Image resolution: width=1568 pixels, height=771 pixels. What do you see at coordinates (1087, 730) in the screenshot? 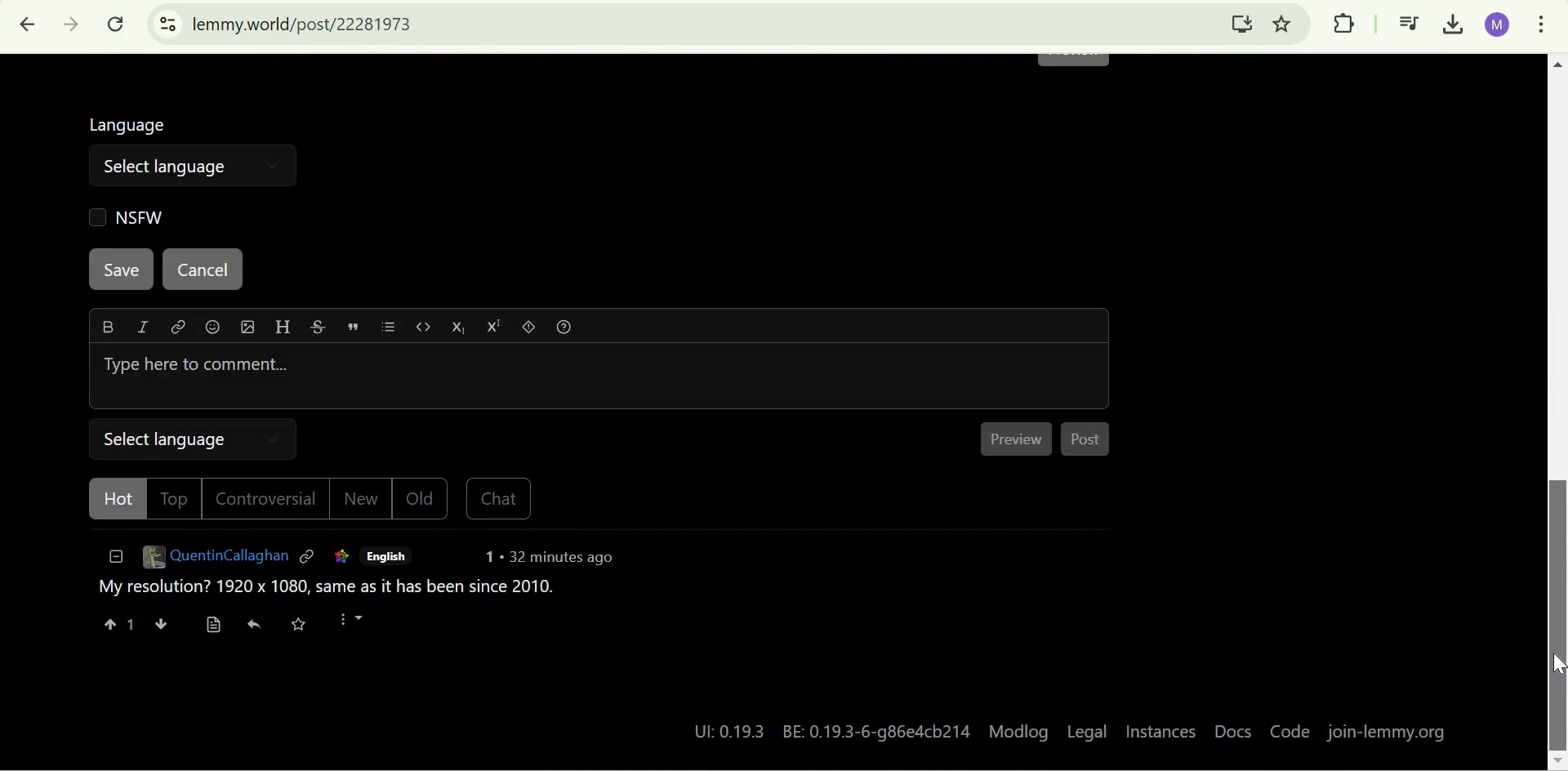
I see `Legal` at bounding box center [1087, 730].